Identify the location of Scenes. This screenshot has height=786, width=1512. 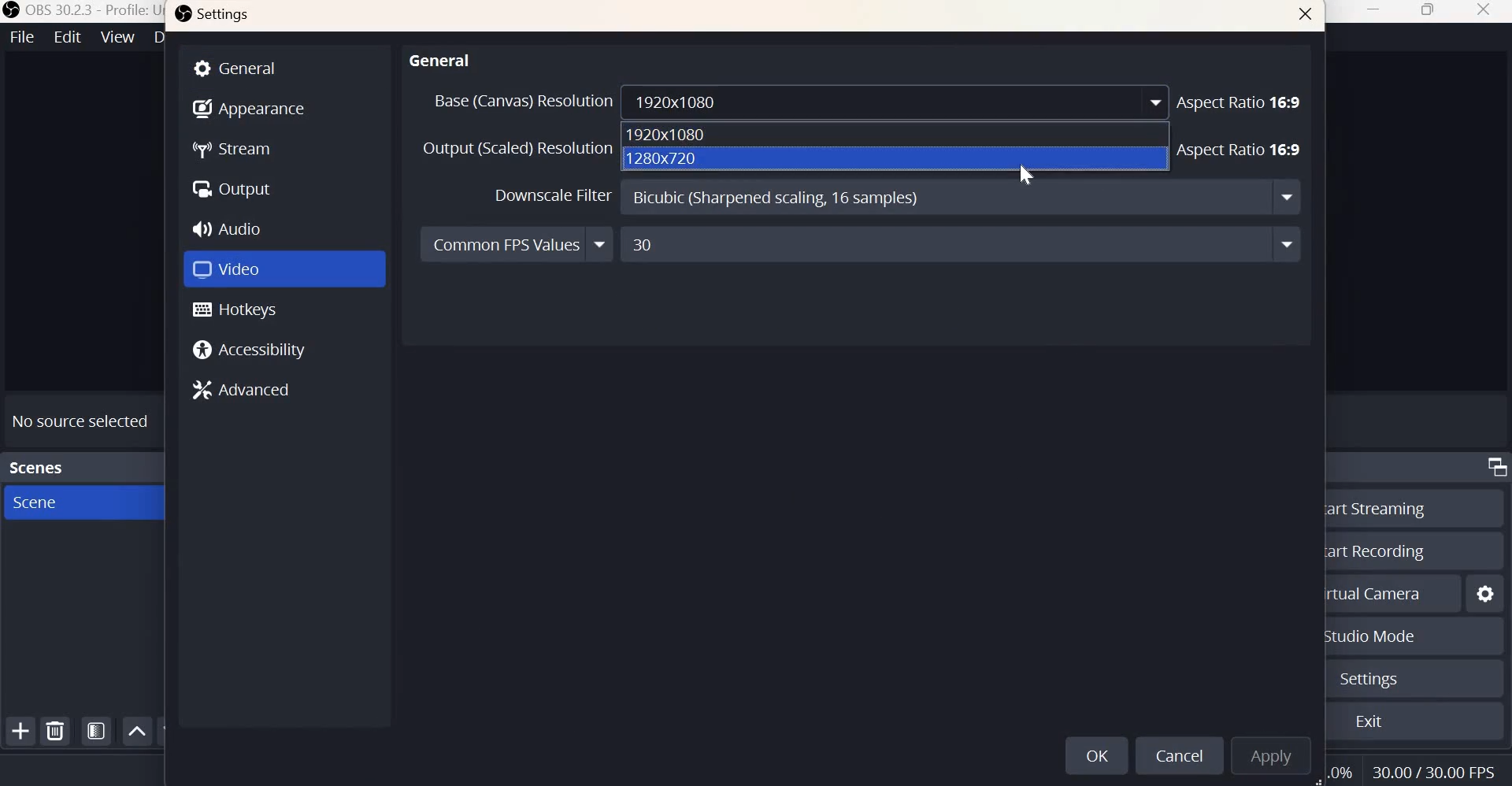
(37, 465).